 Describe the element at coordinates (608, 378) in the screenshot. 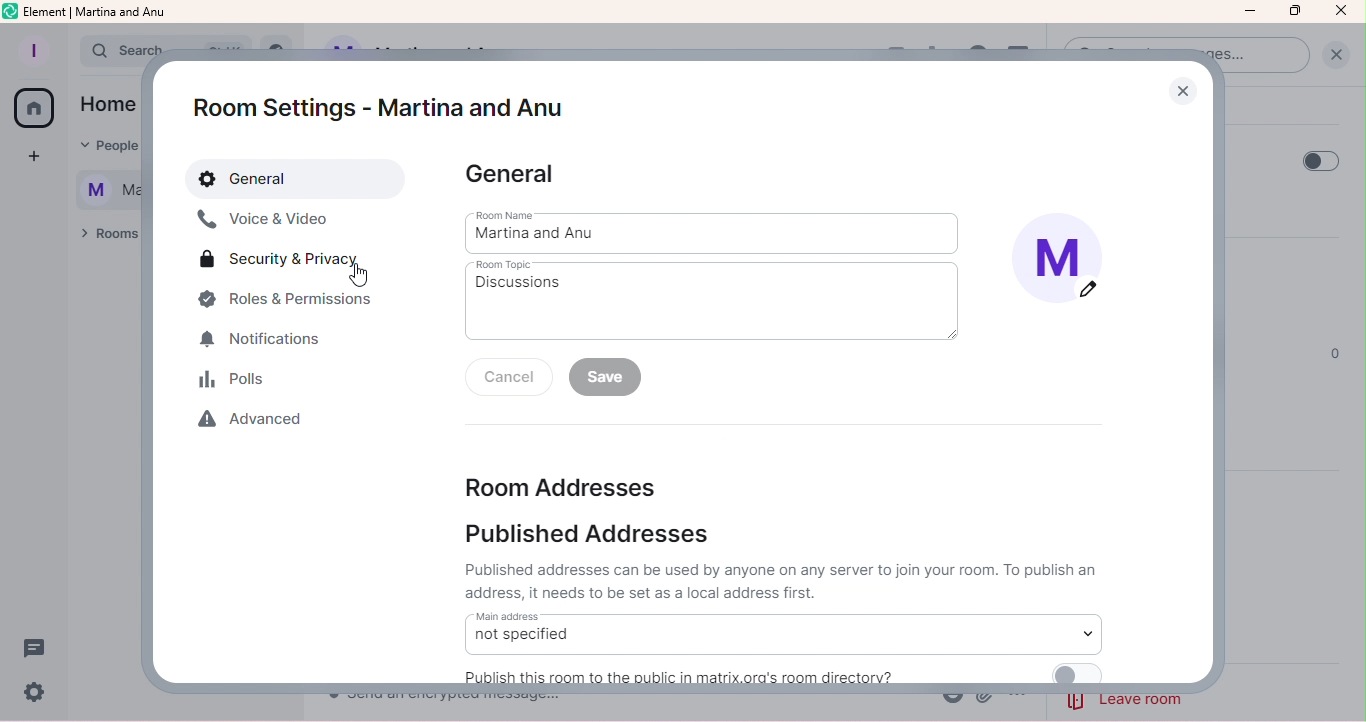

I see `Save` at that location.